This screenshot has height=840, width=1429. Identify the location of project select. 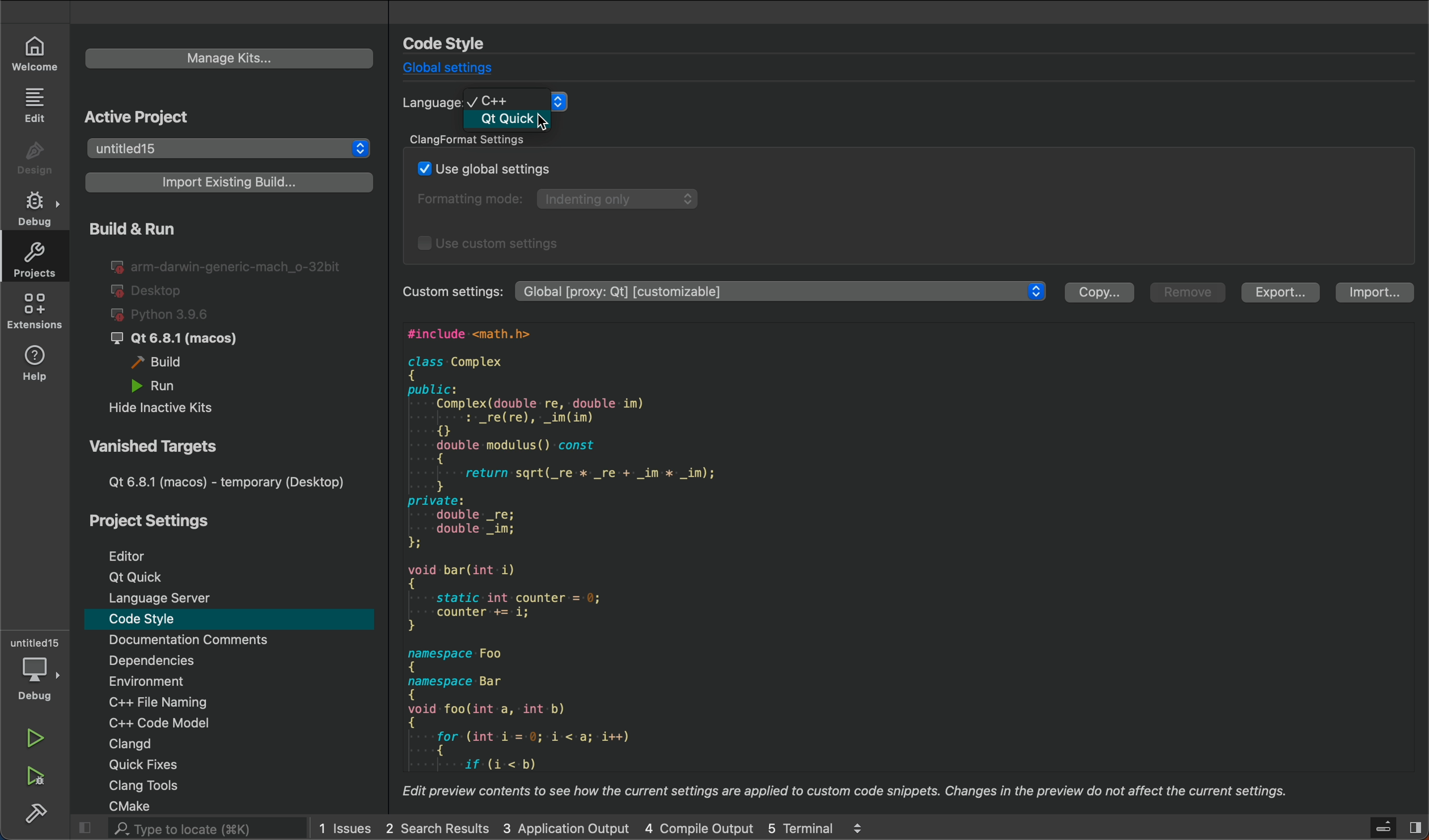
(230, 150).